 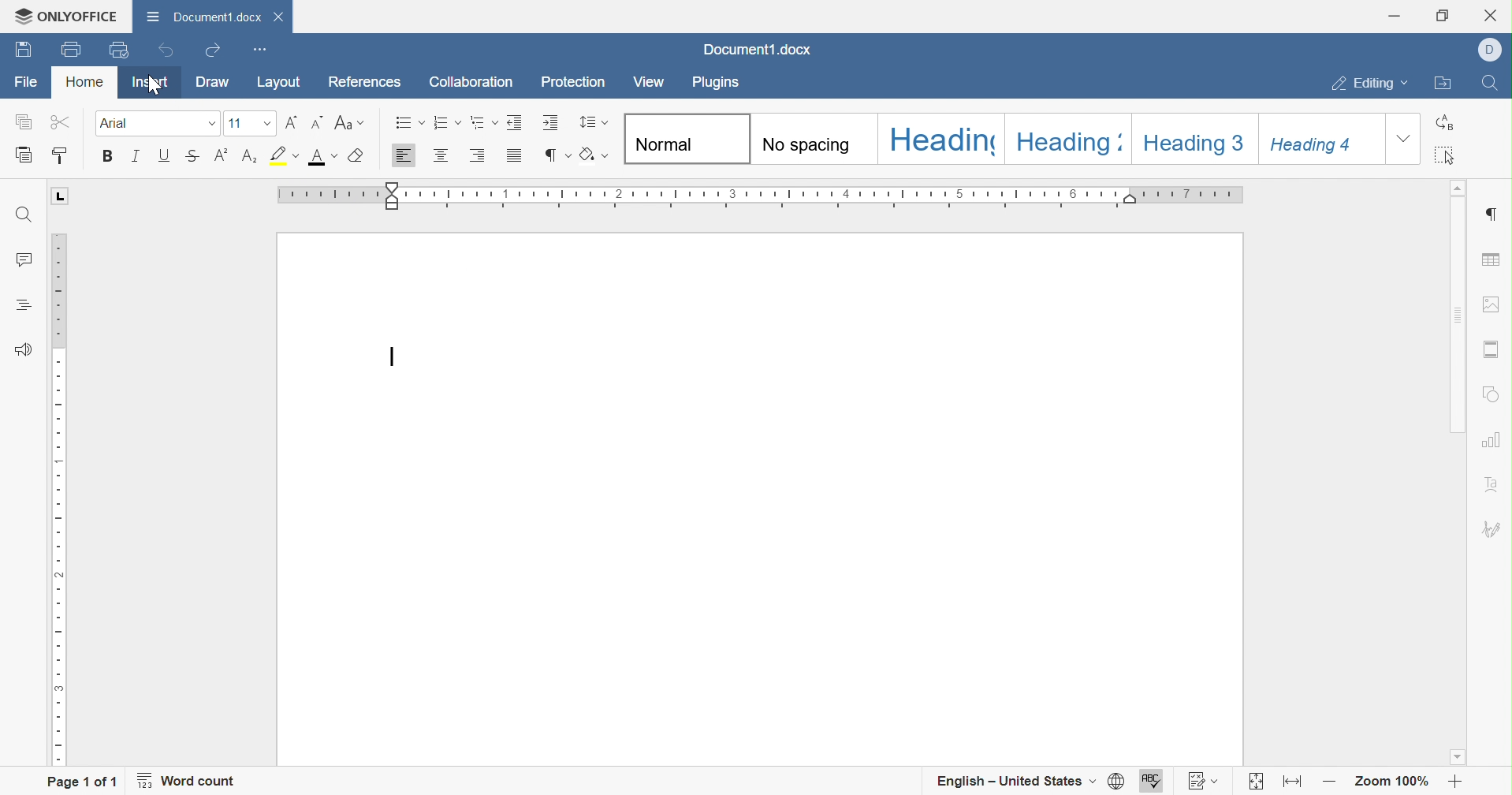 What do you see at coordinates (943, 141) in the screenshot?
I see `Heading` at bounding box center [943, 141].